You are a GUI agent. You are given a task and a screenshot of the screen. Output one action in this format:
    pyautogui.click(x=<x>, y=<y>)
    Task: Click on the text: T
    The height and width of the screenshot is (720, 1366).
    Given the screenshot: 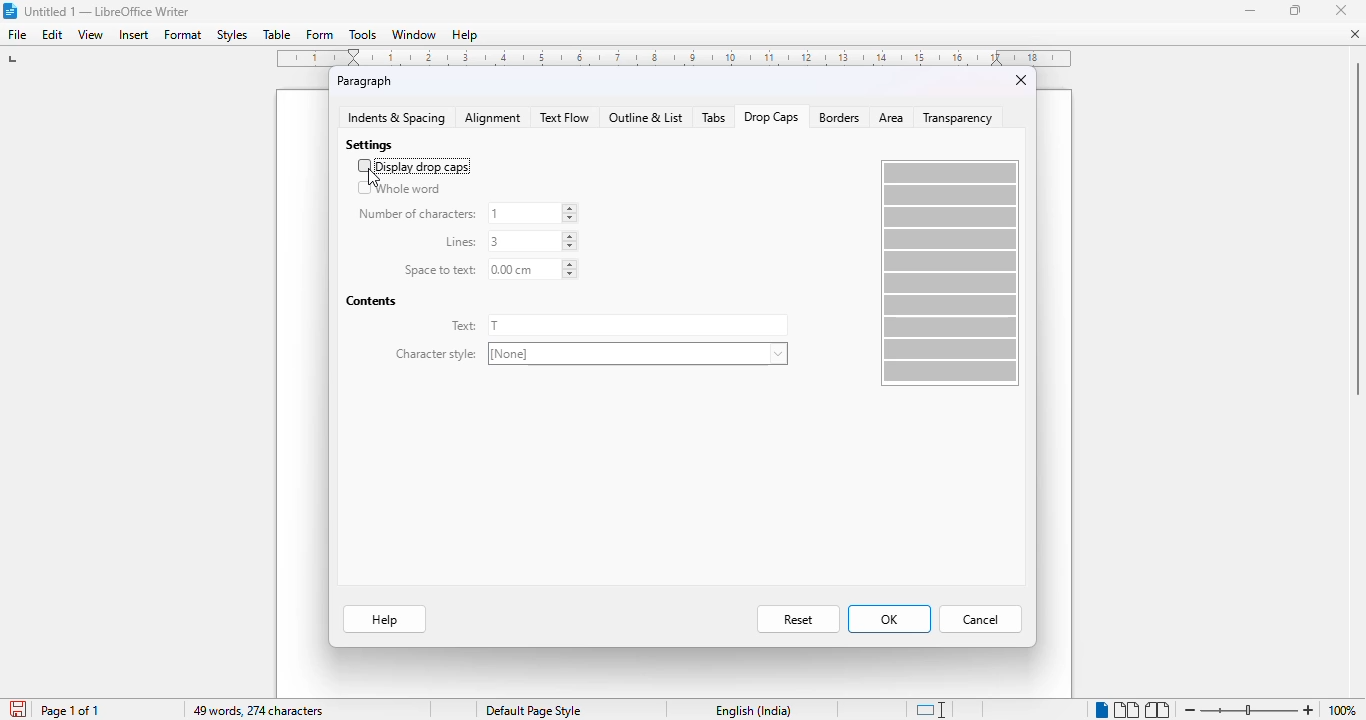 What is the action you would take?
    pyautogui.click(x=616, y=326)
    